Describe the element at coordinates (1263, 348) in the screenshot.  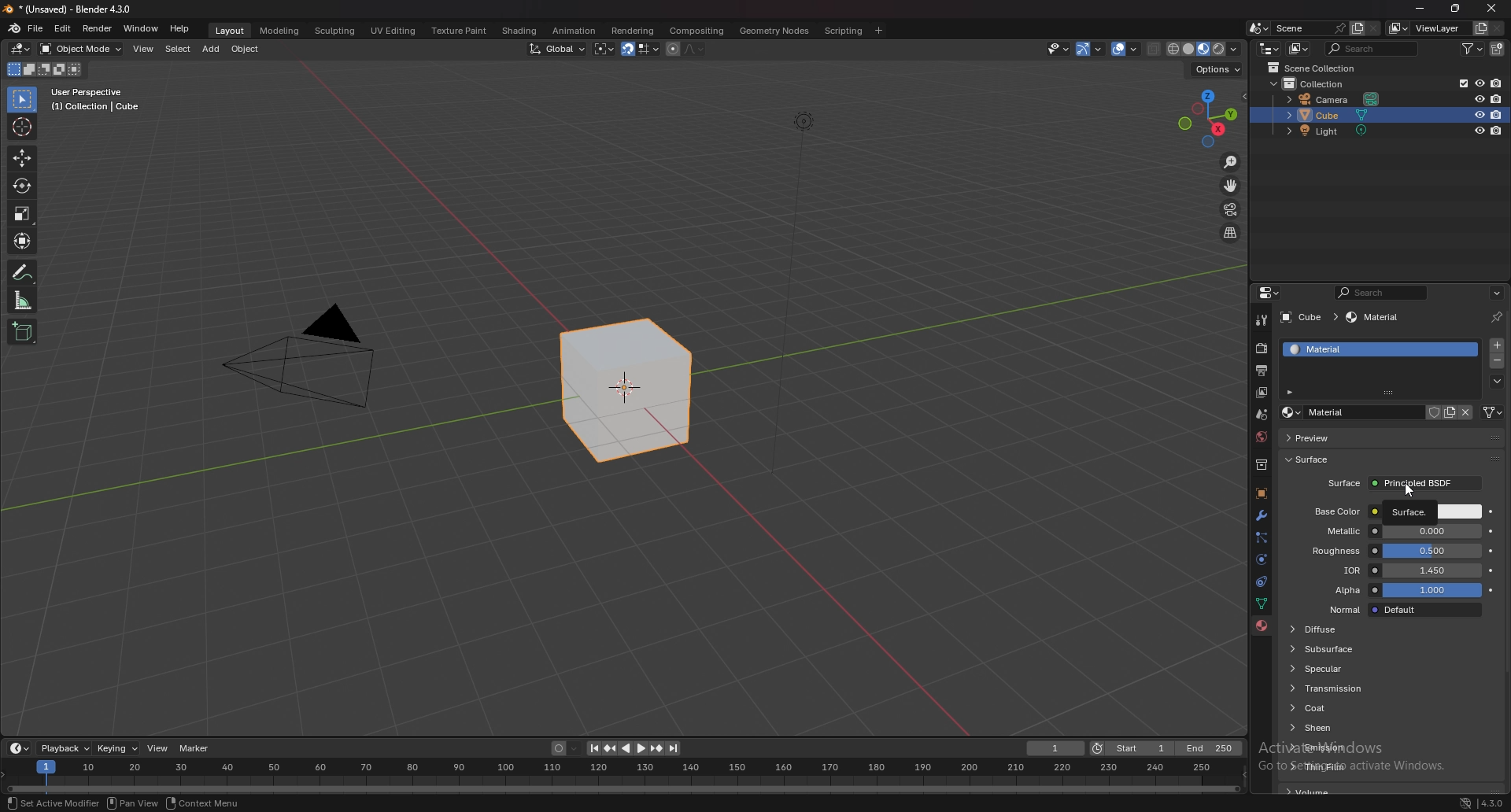
I see `render` at that location.